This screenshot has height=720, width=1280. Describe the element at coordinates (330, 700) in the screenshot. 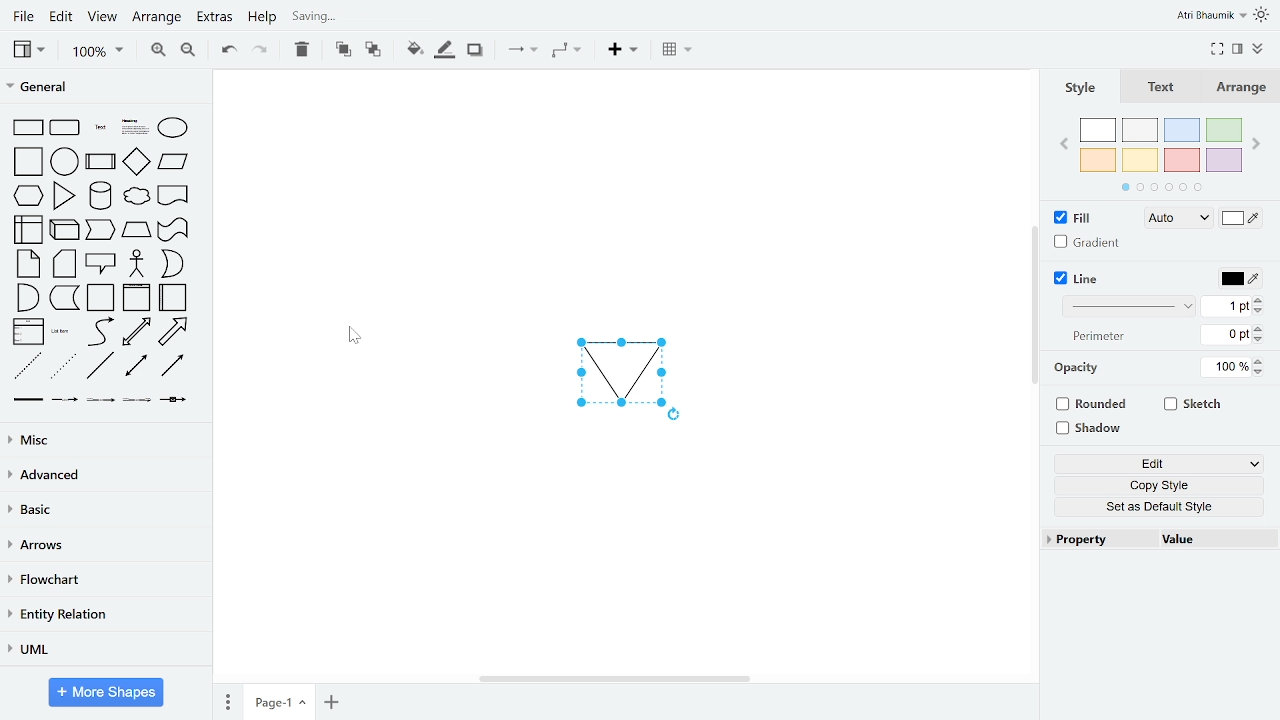

I see `add page` at that location.